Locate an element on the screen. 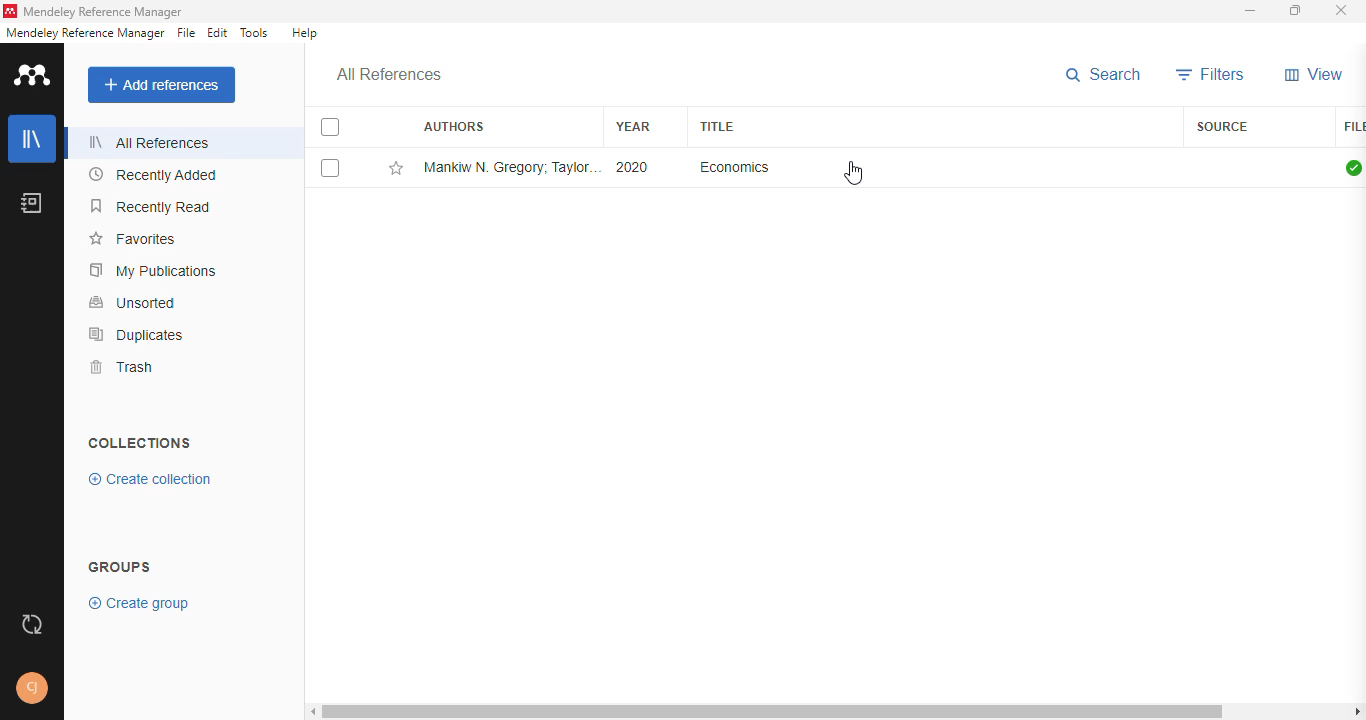 The image size is (1366, 720). select is located at coordinates (330, 168).